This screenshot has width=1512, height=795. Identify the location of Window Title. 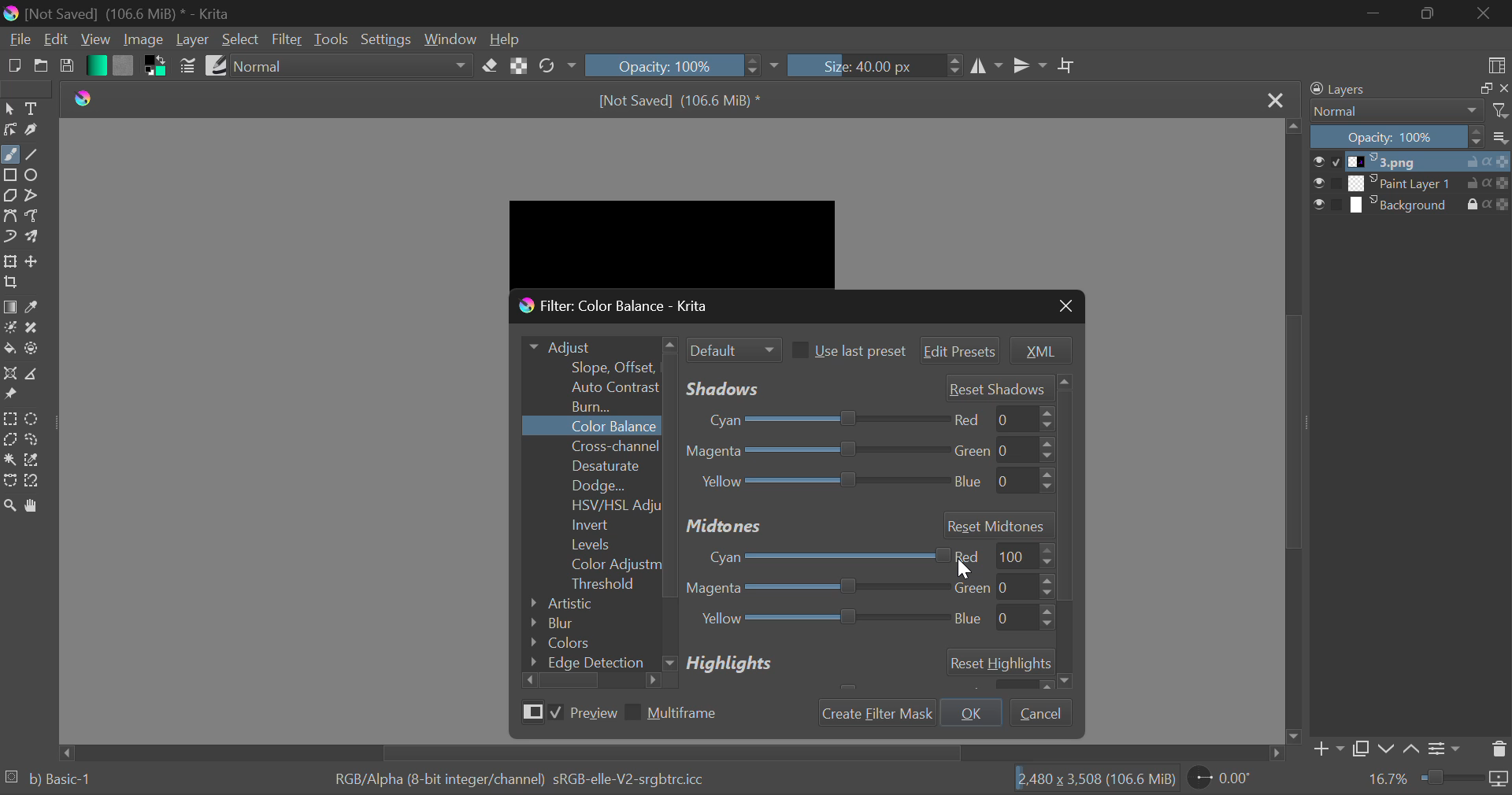
(628, 308).